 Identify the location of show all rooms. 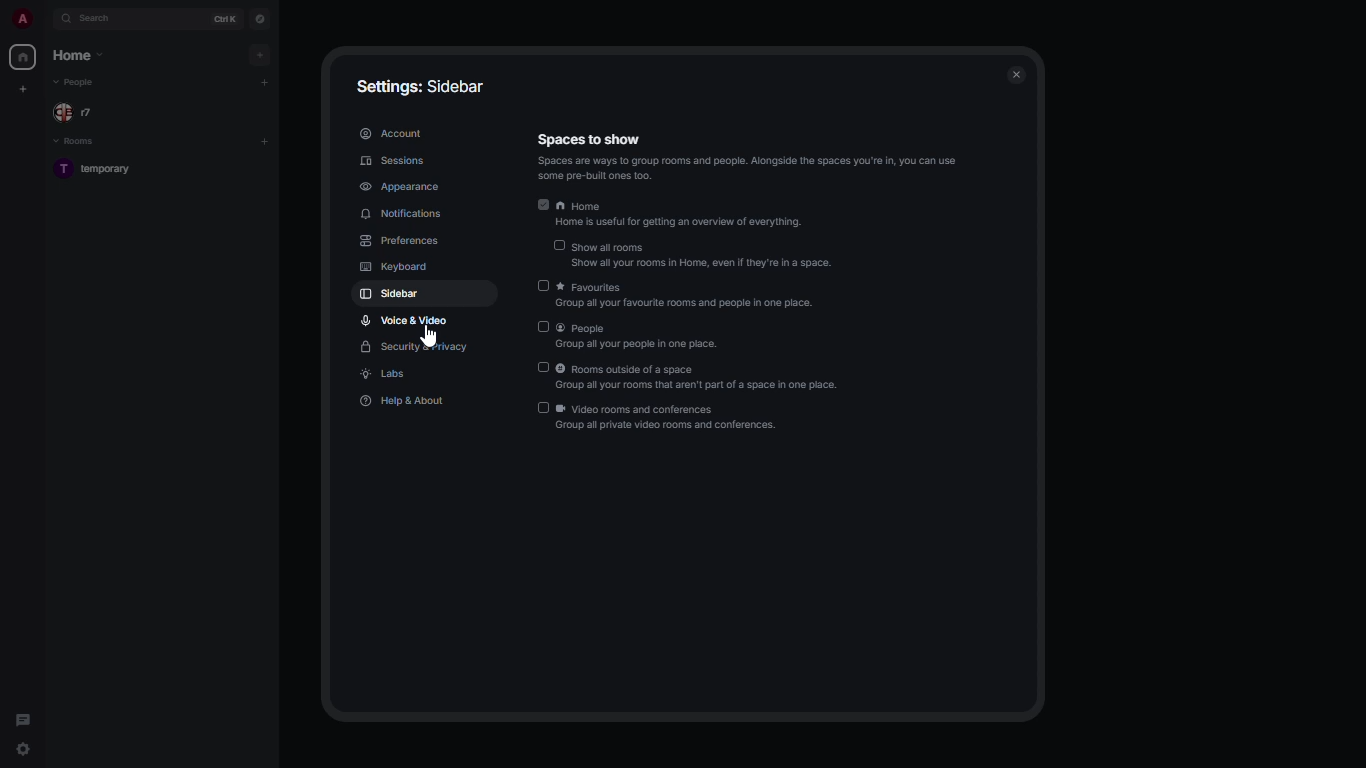
(704, 256).